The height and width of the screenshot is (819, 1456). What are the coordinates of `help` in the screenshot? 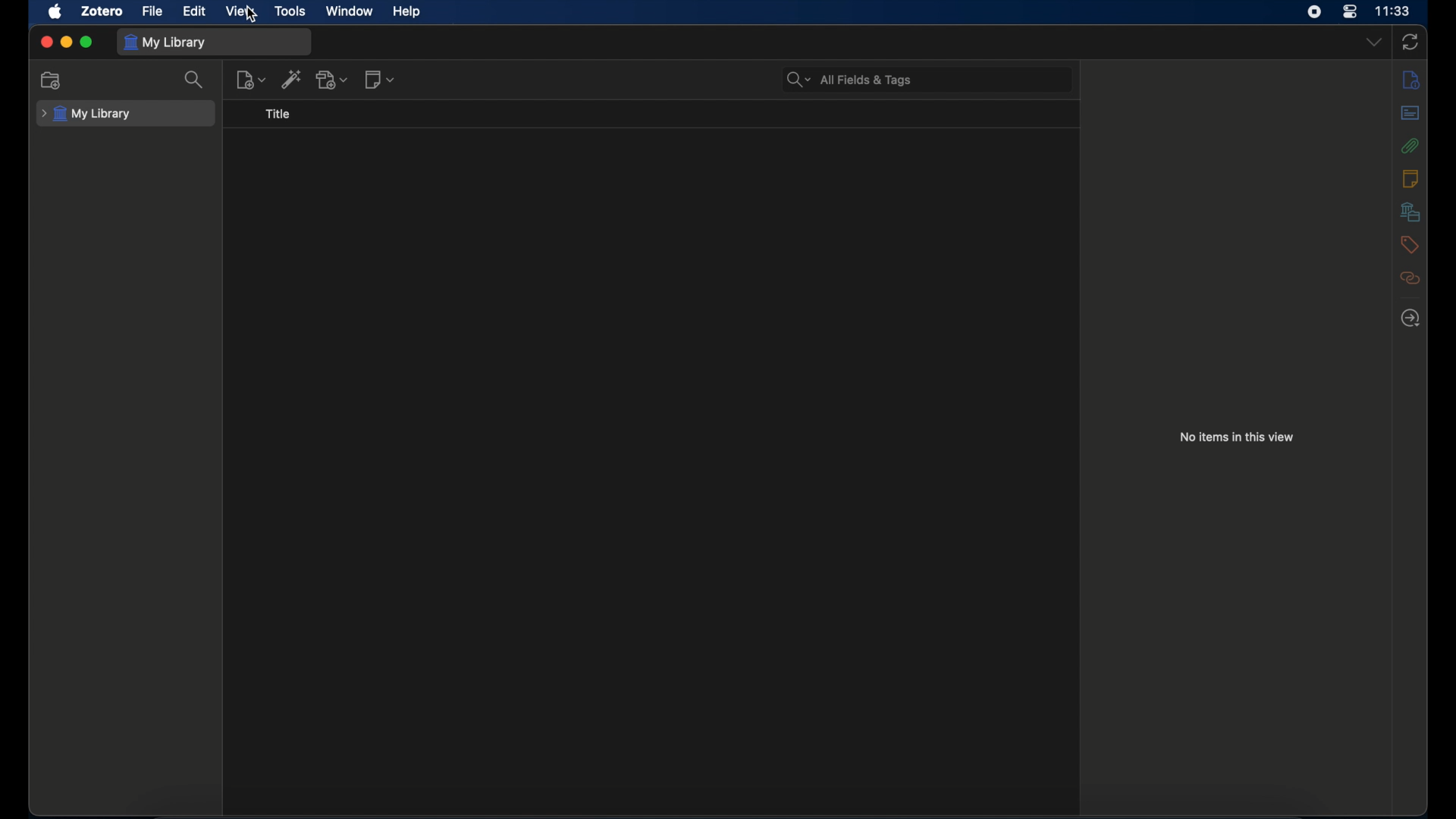 It's located at (406, 11).